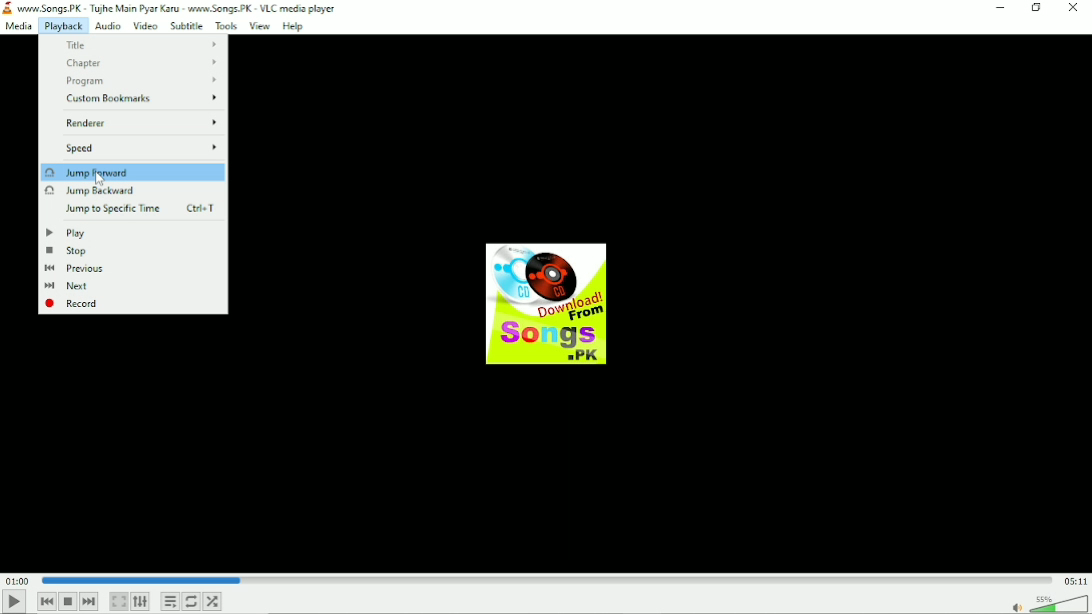 The image size is (1092, 614). What do you see at coordinates (226, 27) in the screenshot?
I see `Tools` at bounding box center [226, 27].